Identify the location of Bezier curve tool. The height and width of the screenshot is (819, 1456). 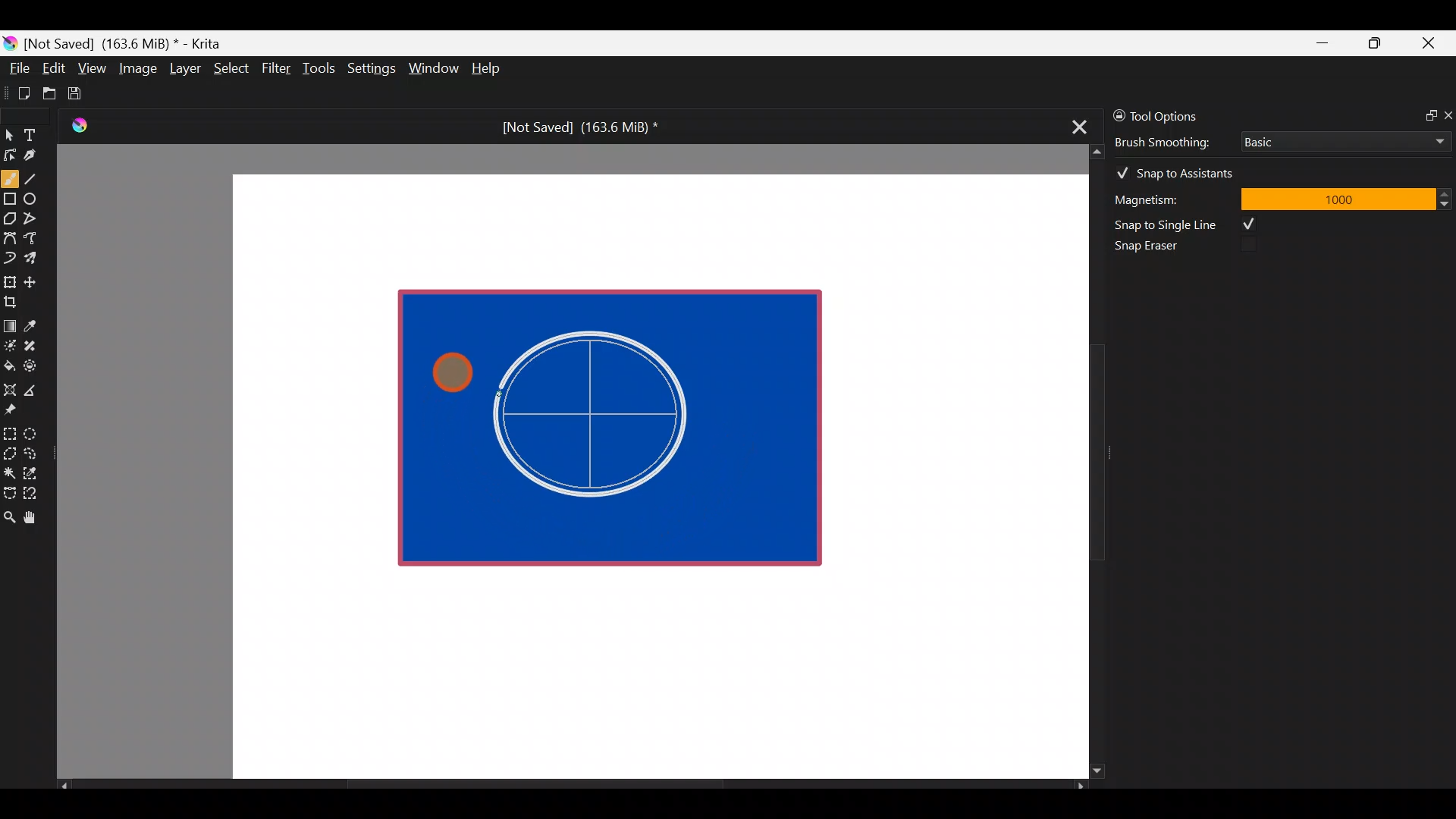
(9, 240).